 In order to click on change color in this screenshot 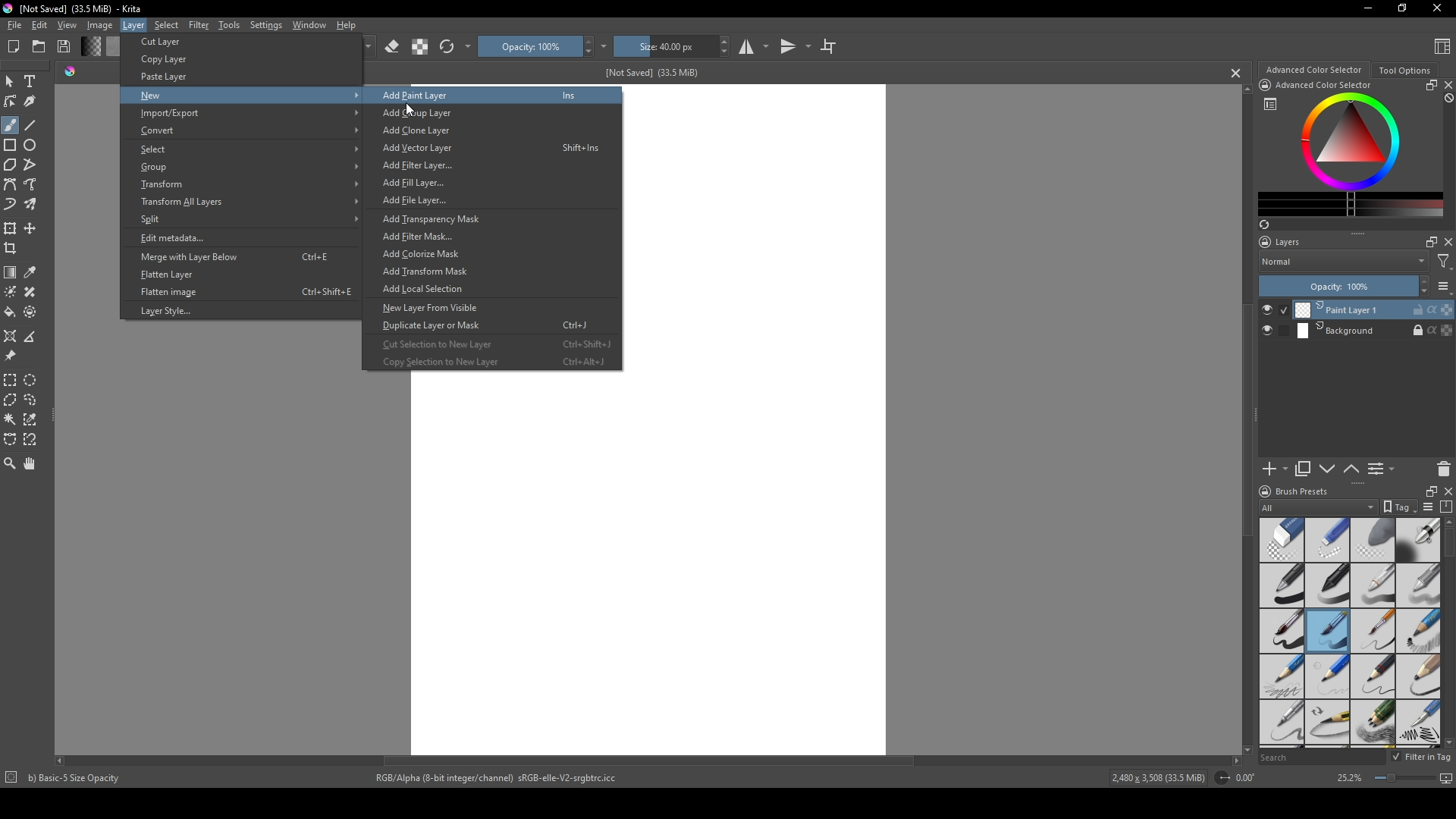, I will do `click(1351, 204)`.